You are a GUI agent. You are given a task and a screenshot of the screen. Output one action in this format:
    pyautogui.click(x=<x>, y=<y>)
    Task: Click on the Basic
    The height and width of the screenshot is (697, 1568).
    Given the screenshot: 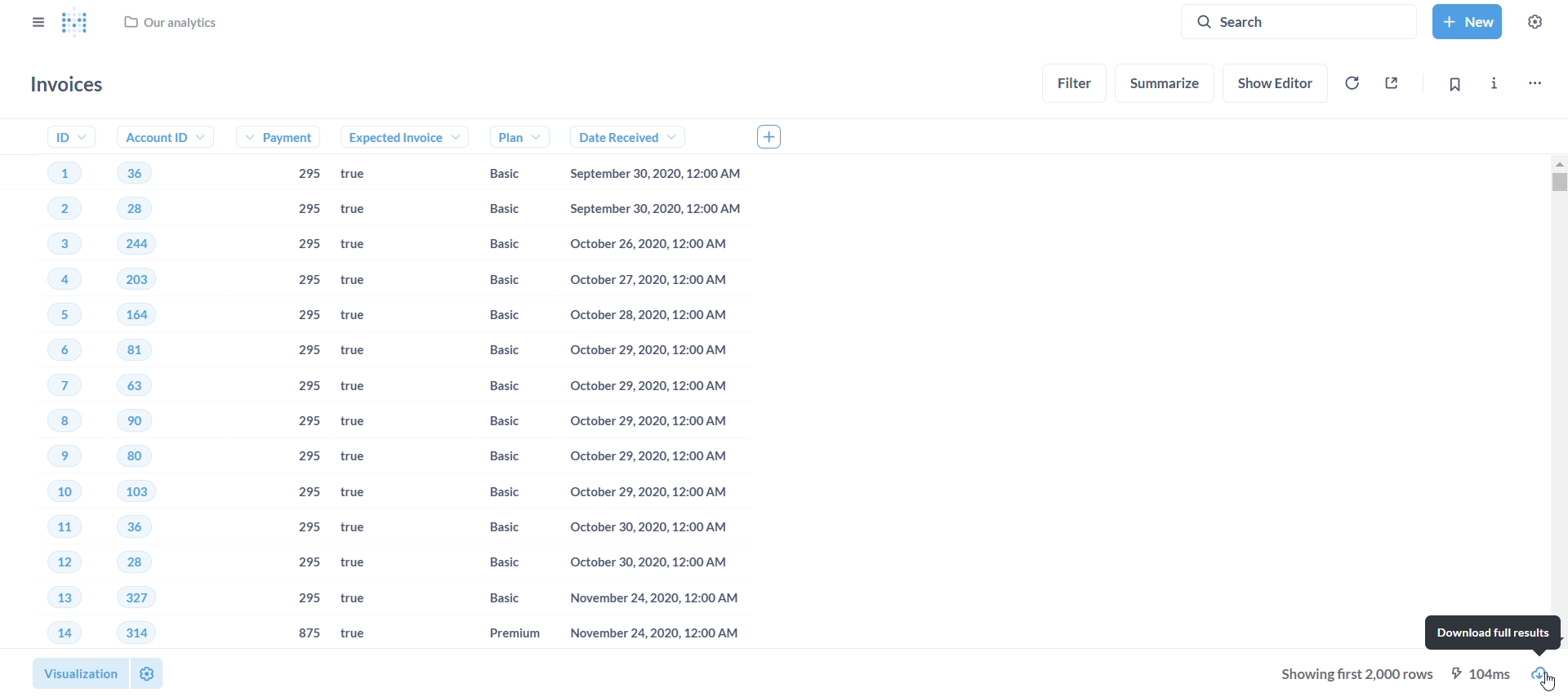 What is the action you would take?
    pyautogui.click(x=493, y=315)
    